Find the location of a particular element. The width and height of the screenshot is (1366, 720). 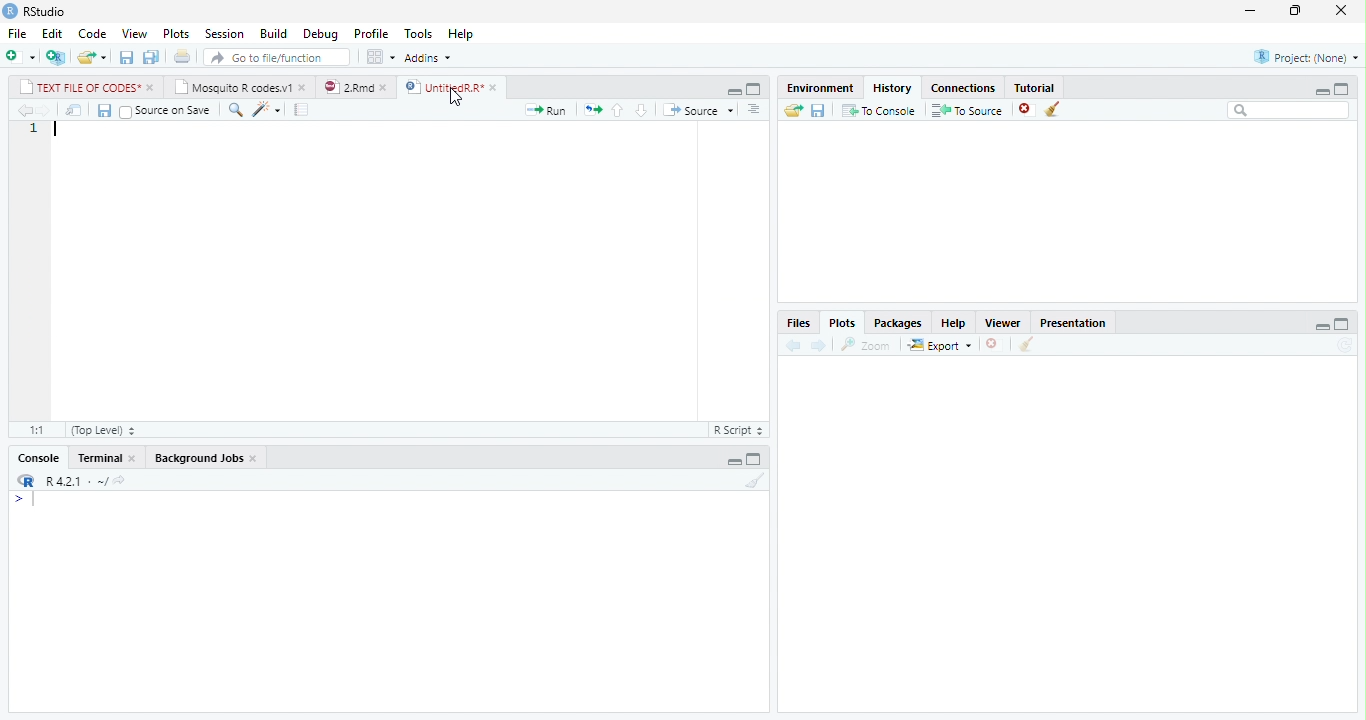

maximize is located at coordinates (753, 89).